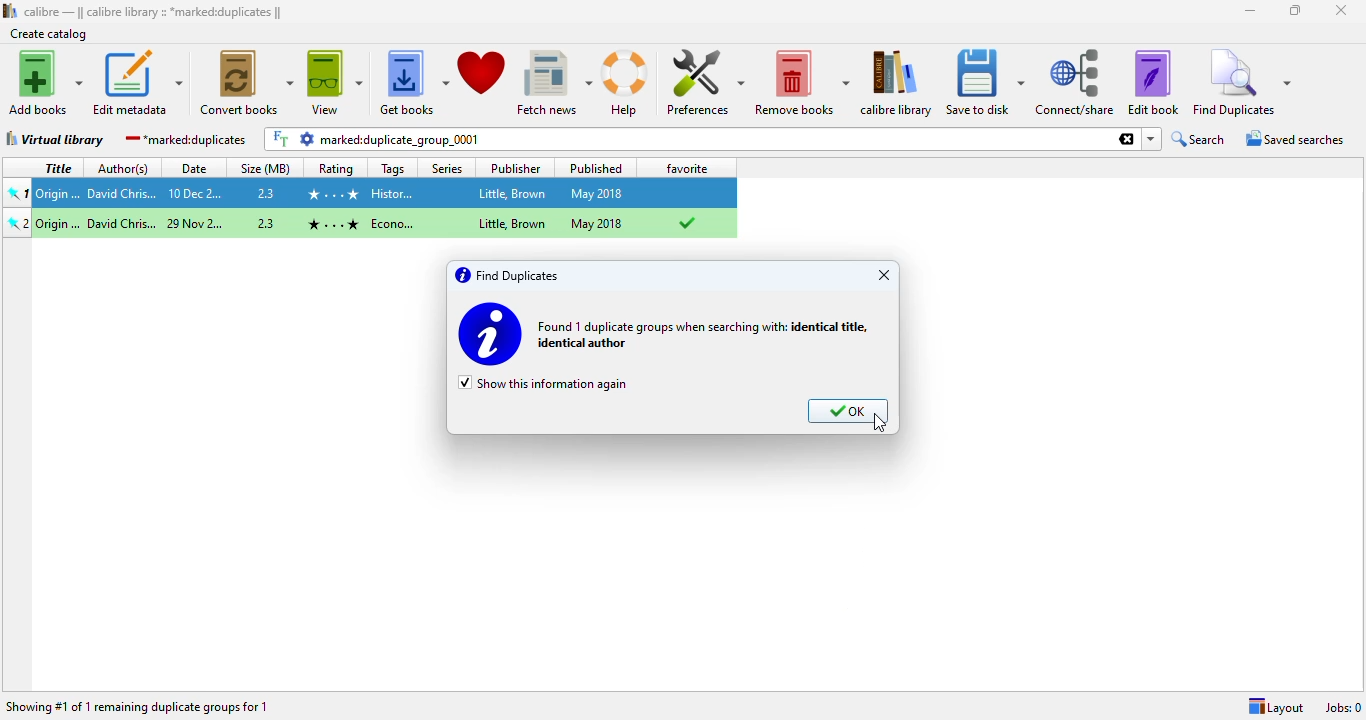 This screenshot has height=720, width=1366. Describe the element at coordinates (14, 224) in the screenshot. I see `pinned book 3` at that location.